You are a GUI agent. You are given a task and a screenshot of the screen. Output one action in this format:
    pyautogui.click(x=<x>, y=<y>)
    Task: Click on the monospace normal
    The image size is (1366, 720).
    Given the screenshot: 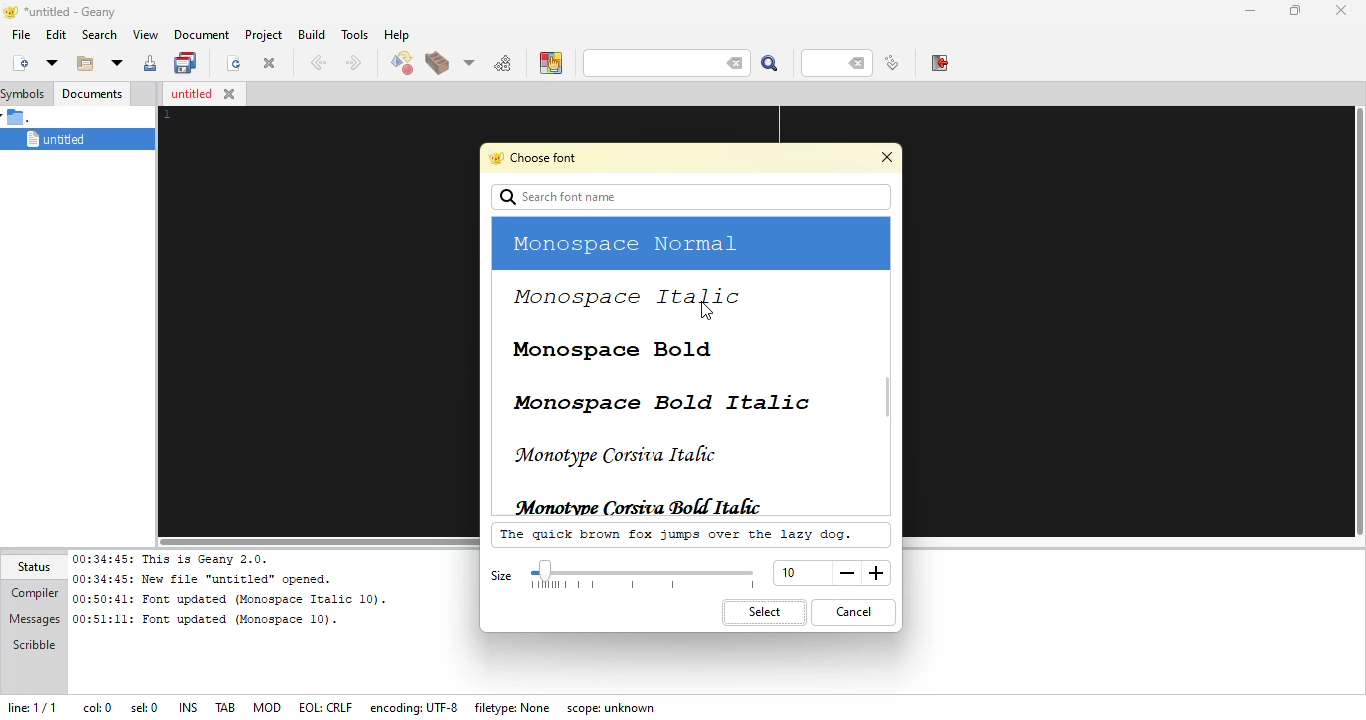 What is the action you would take?
    pyautogui.click(x=635, y=241)
    